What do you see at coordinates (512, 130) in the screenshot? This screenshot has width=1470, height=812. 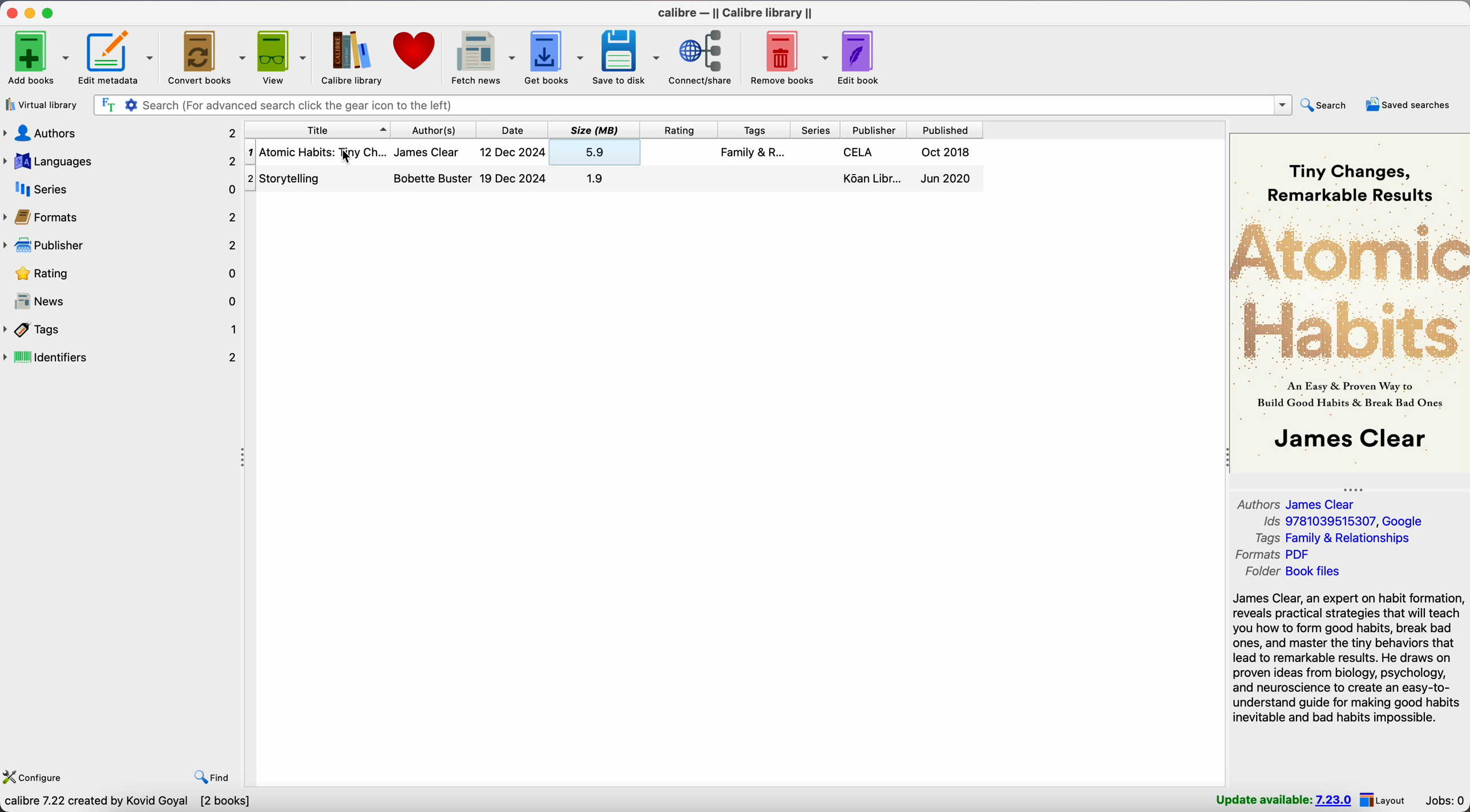 I see `date` at bounding box center [512, 130].